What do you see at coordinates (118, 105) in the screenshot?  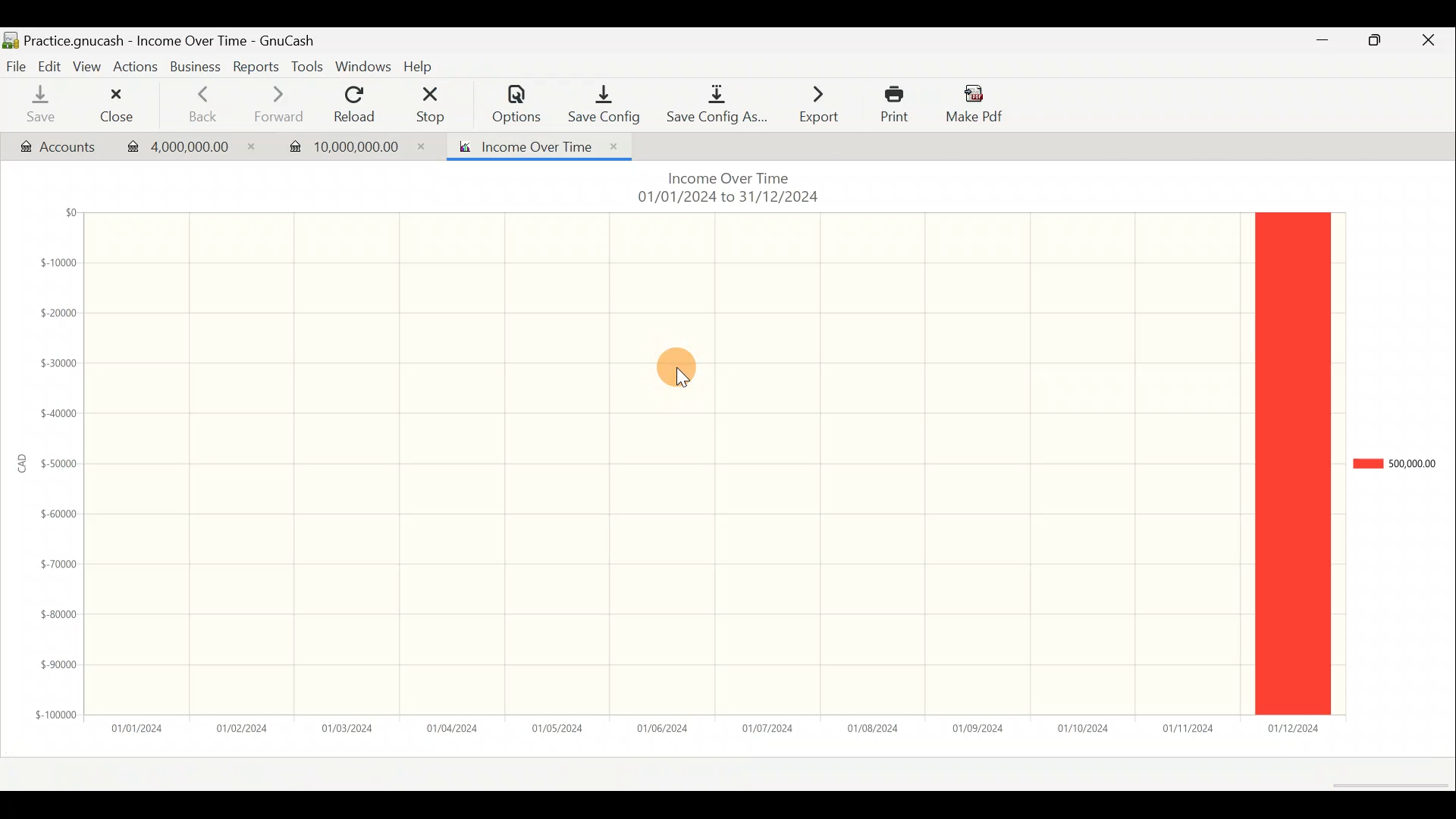 I see `Close` at bounding box center [118, 105].